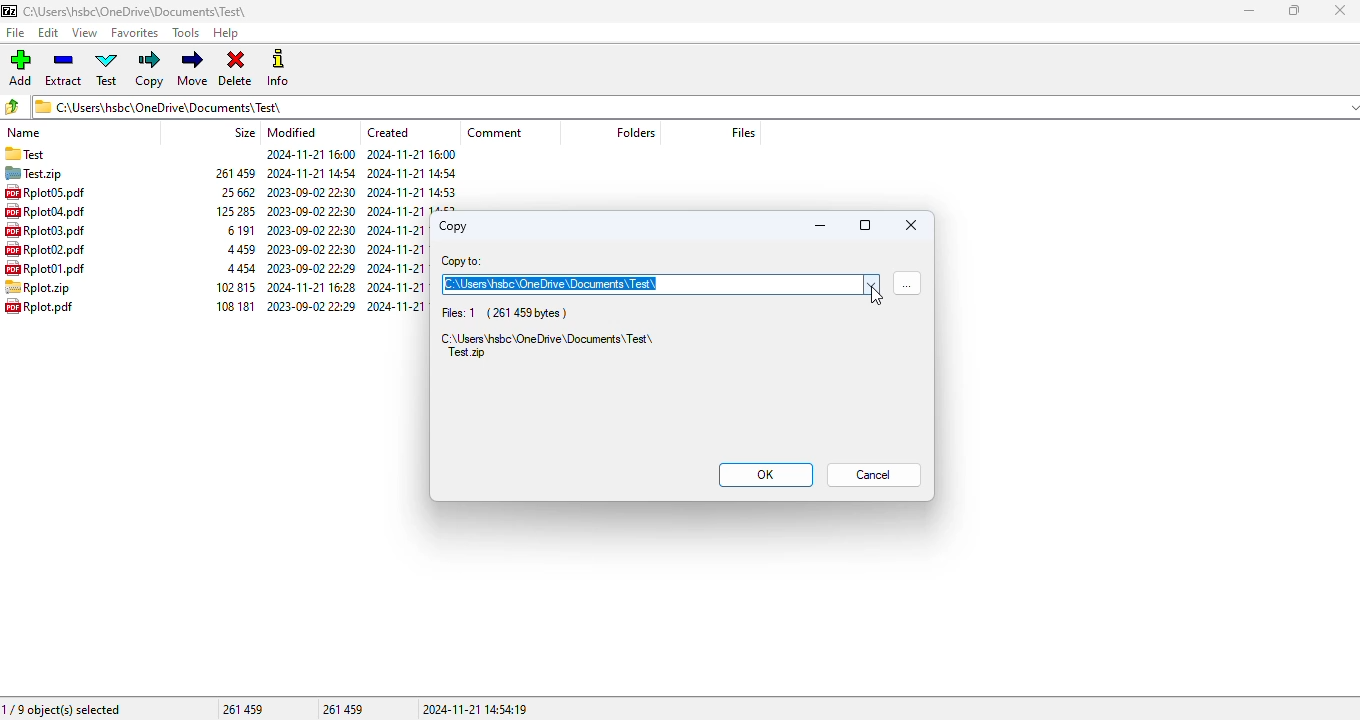 This screenshot has height=720, width=1360. I want to click on cancel, so click(873, 474).